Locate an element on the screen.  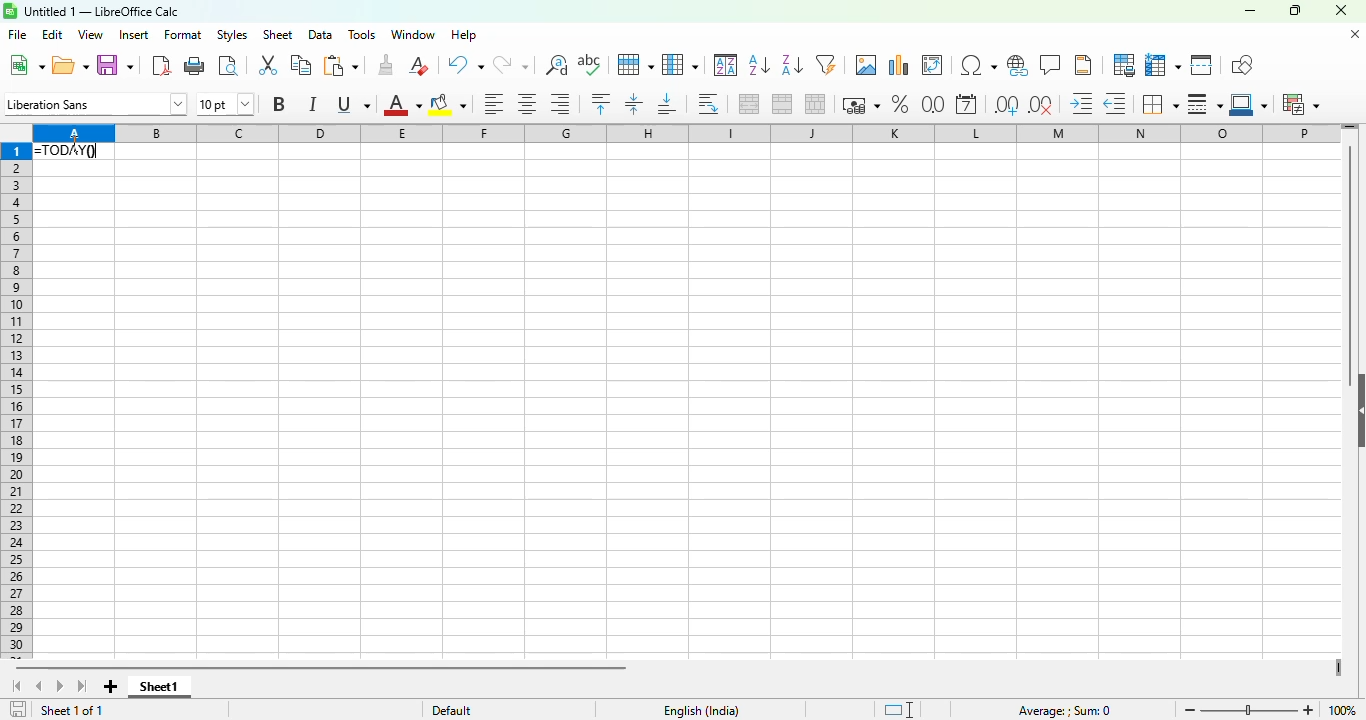
wrap text is located at coordinates (709, 105).